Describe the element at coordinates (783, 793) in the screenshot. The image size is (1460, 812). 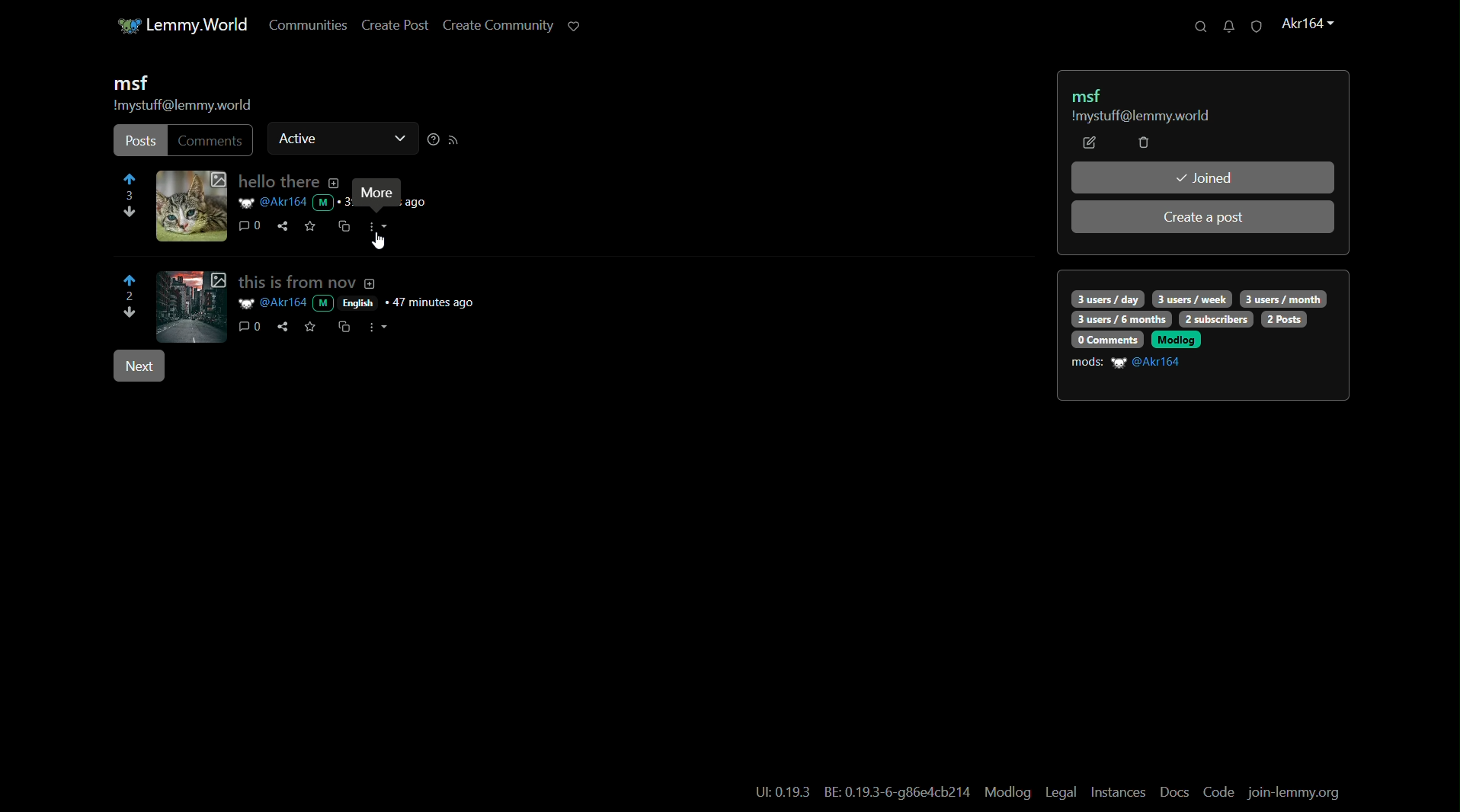
I see `text` at that location.